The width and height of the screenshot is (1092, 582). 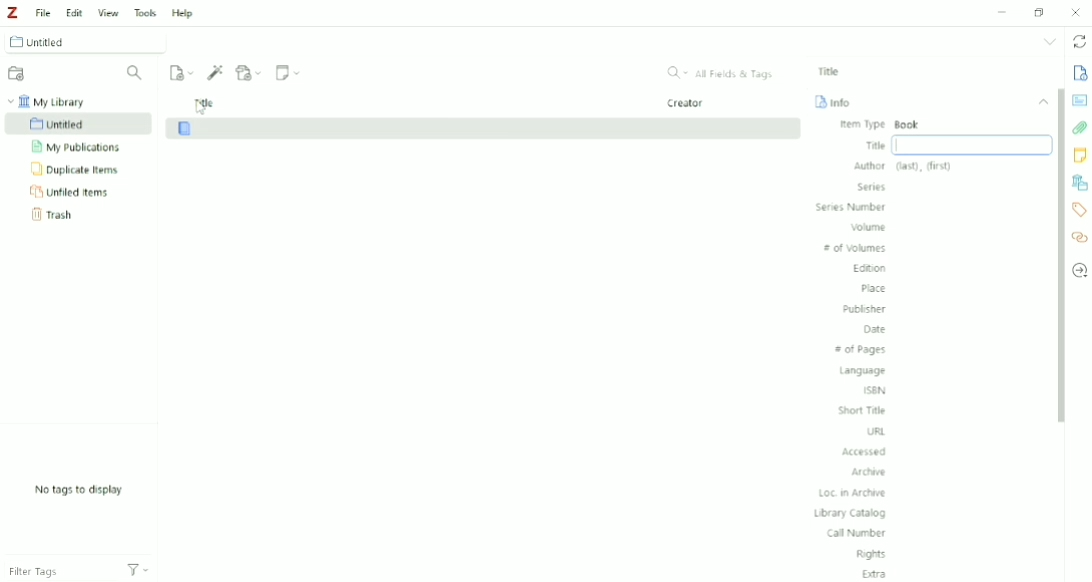 What do you see at coordinates (12, 13) in the screenshot?
I see `Logo` at bounding box center [12, 13].